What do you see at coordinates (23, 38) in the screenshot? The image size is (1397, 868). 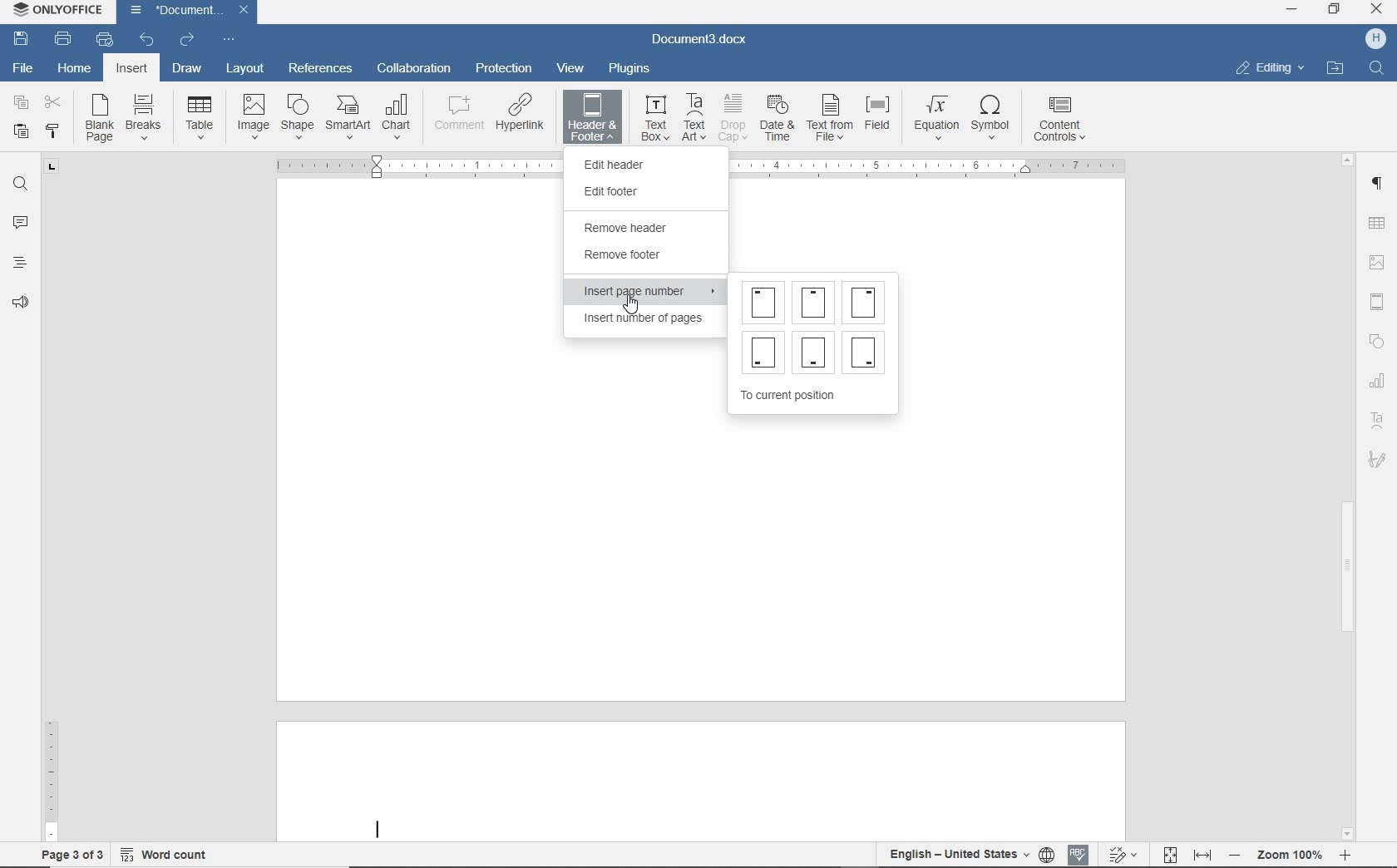 I see `SAVE` at bounding box center [23, 38].